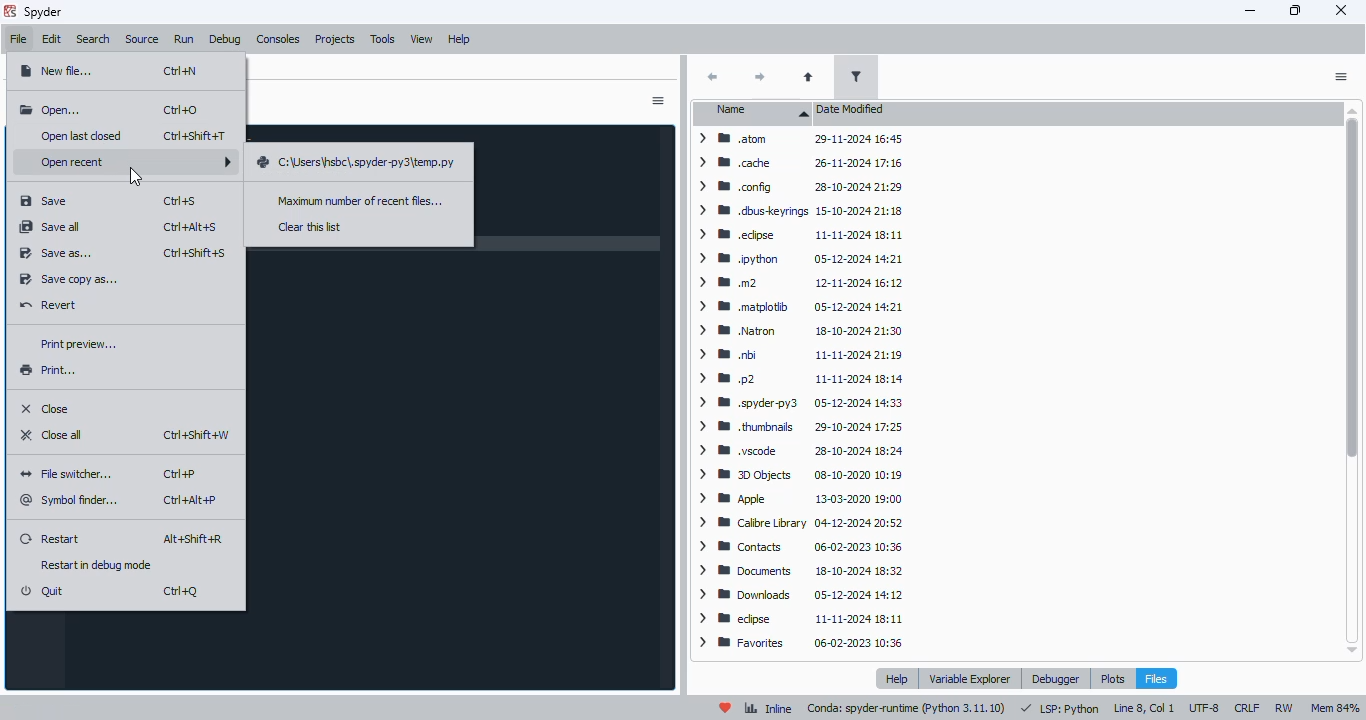  I want to click on plots, so click(1112, 678).